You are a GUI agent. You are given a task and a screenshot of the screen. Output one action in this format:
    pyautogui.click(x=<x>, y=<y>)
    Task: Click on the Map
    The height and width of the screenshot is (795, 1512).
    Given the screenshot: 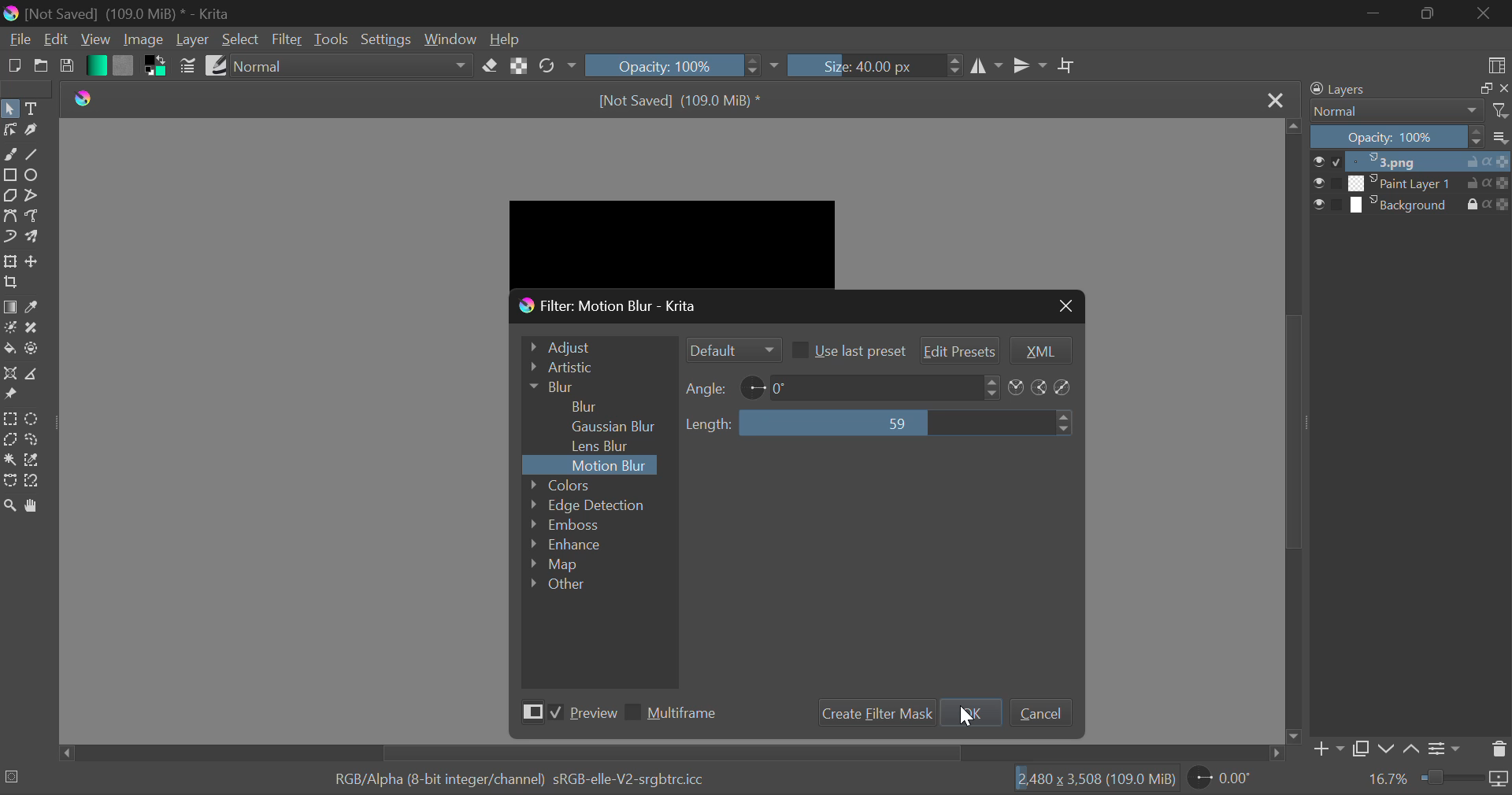 What is the action you would take?
    pyautogui.click(x=563, y=566)
    